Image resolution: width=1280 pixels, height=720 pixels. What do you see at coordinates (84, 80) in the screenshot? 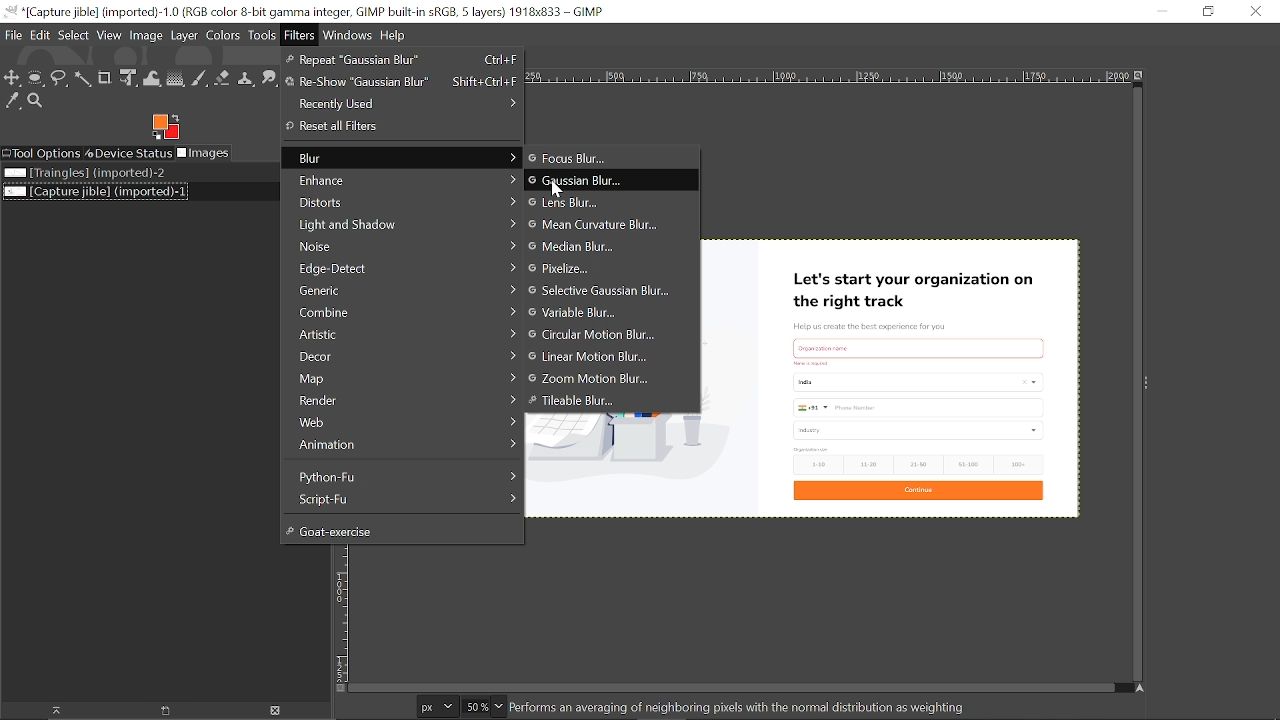
I see `Free select tool` at bounding box center [84, 80].